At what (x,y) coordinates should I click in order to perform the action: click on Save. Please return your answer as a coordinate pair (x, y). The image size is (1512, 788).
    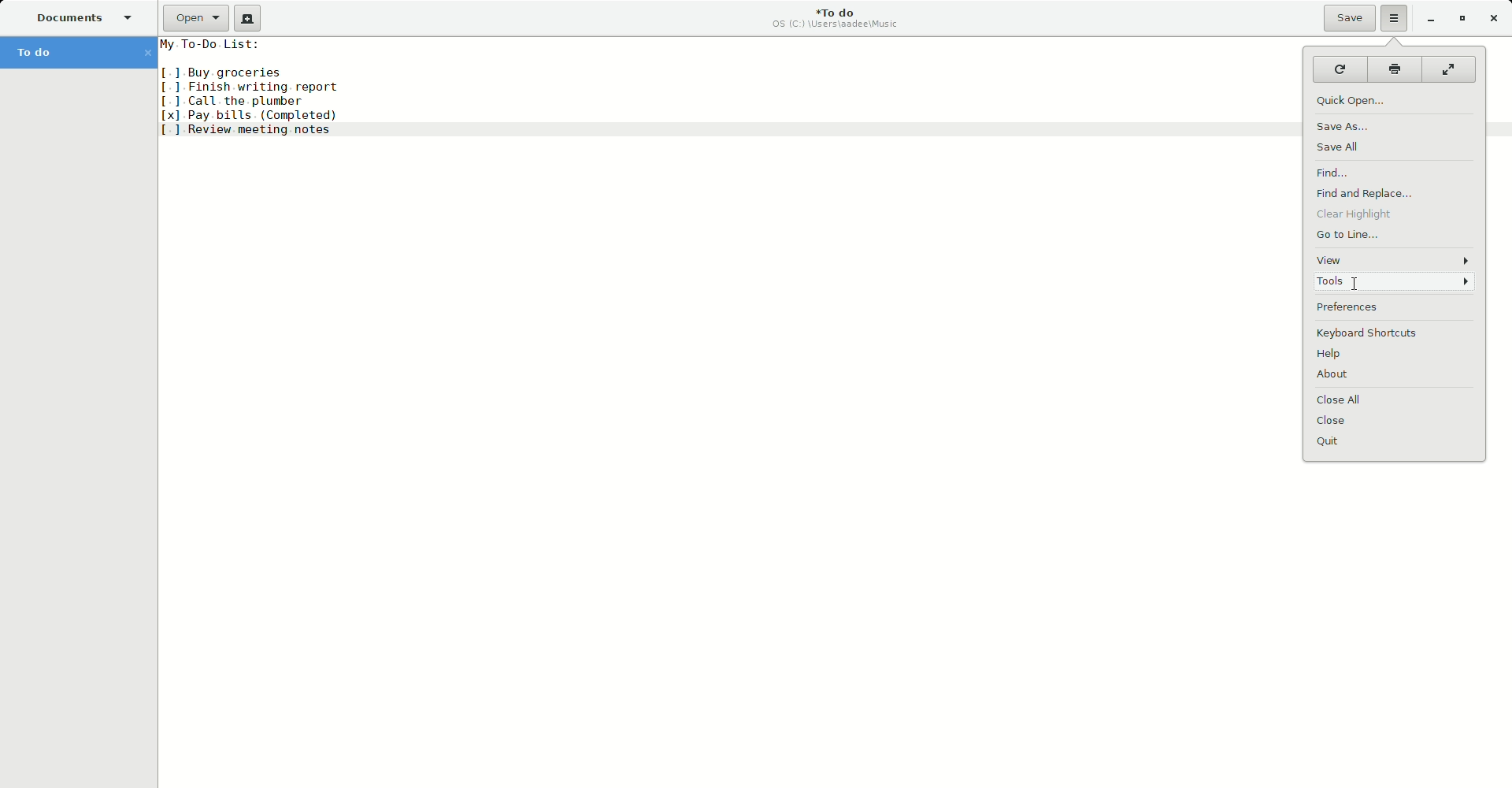
    Looking at the image, I should click on (1351, 19).